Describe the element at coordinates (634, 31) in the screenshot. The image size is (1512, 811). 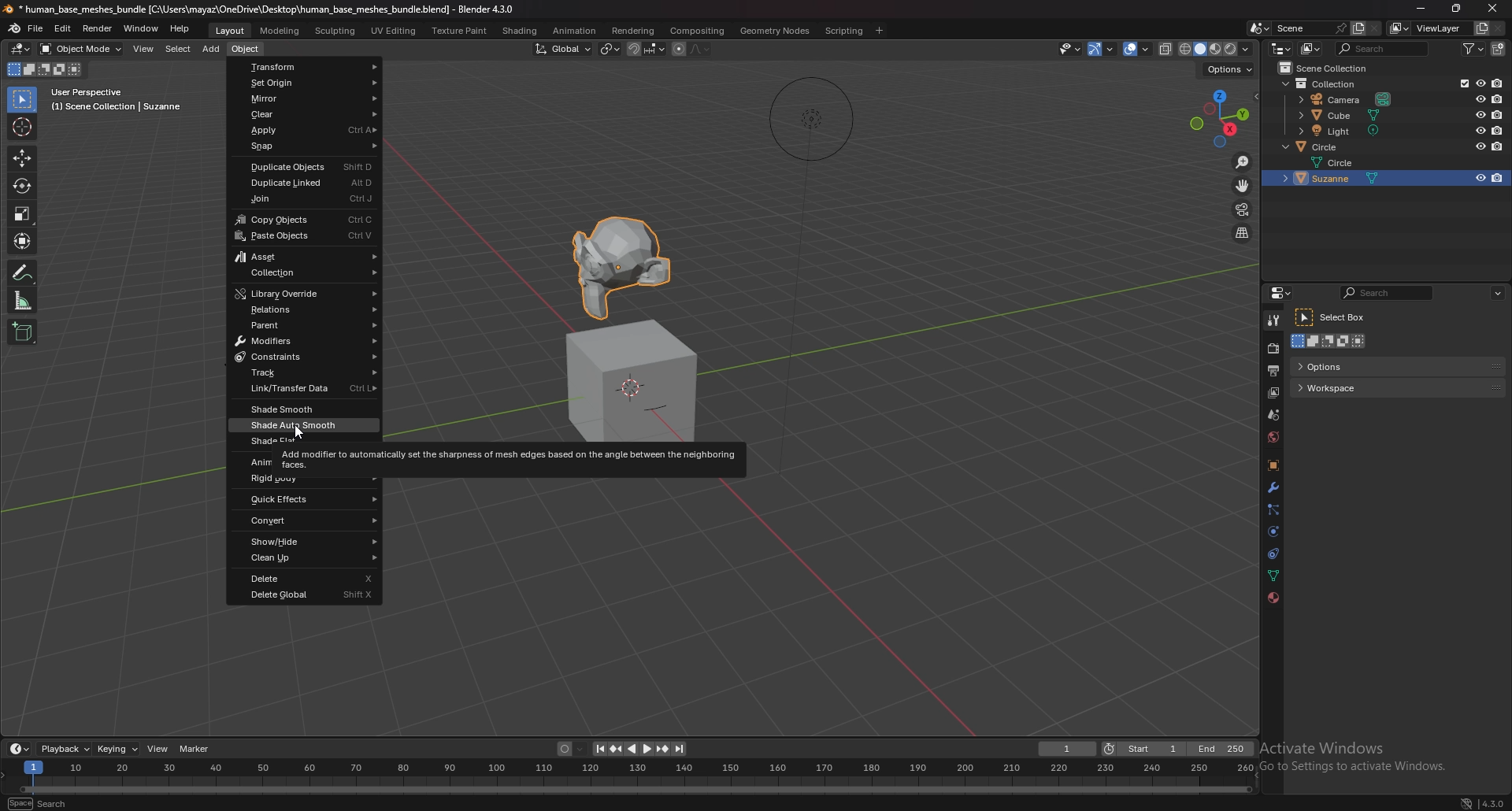
I see `rendering` at that location.